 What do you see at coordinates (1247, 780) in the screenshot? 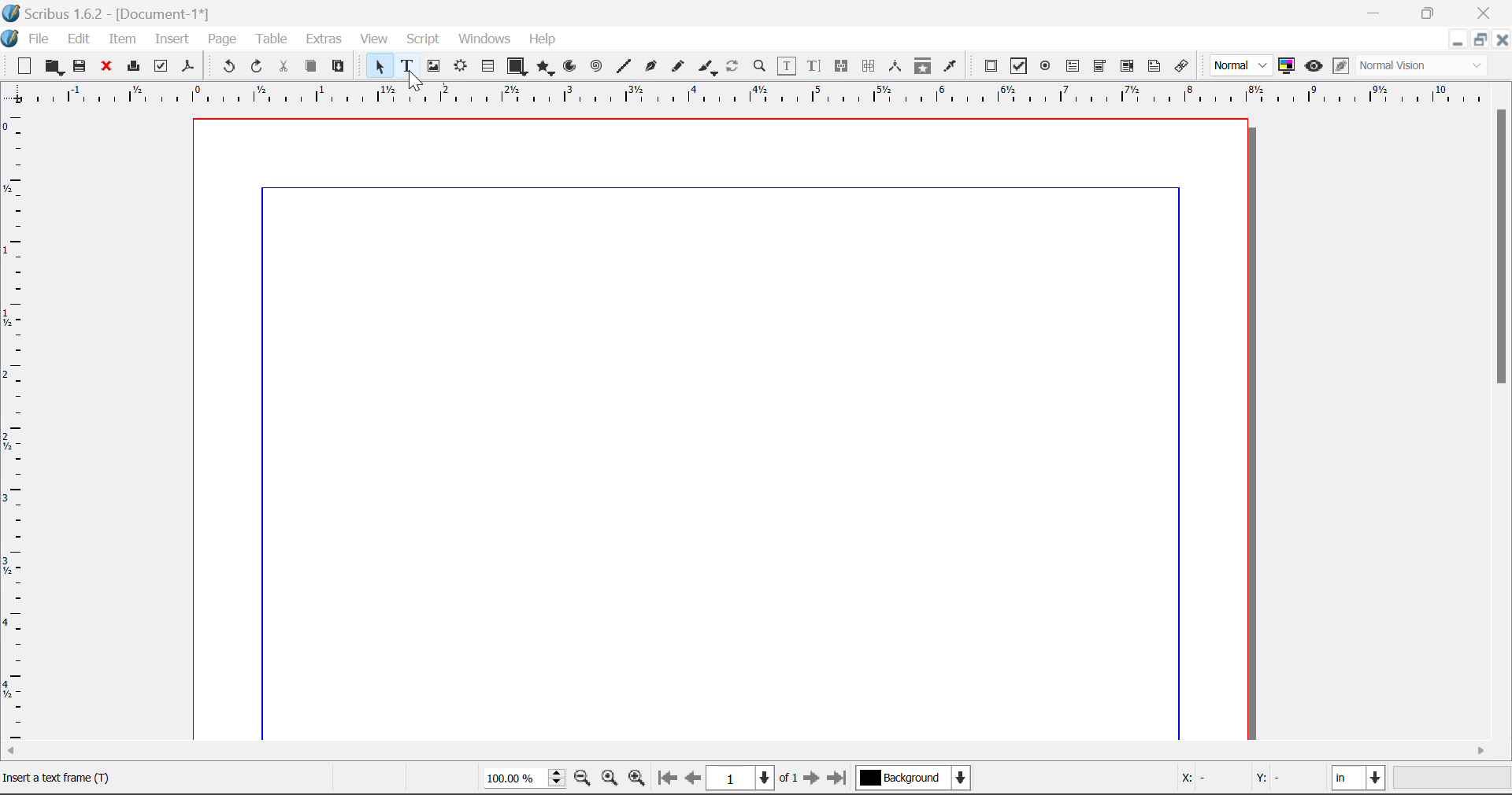
I see `Cursor Coordinates` at bounding box center [1247, 780].